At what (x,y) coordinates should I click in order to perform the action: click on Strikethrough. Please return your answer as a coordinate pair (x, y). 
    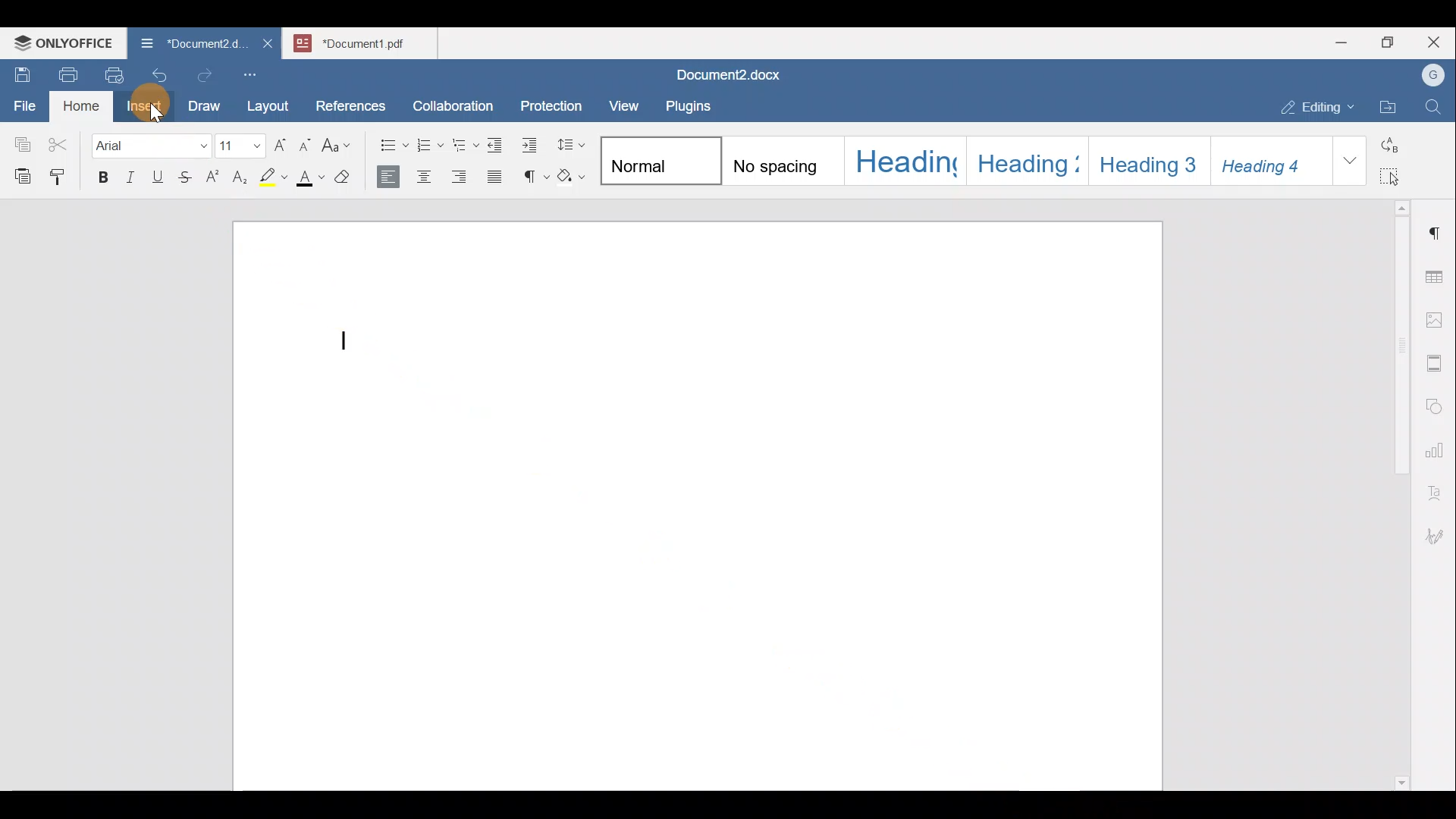
    Looking at the image, I should click on (181, 176).